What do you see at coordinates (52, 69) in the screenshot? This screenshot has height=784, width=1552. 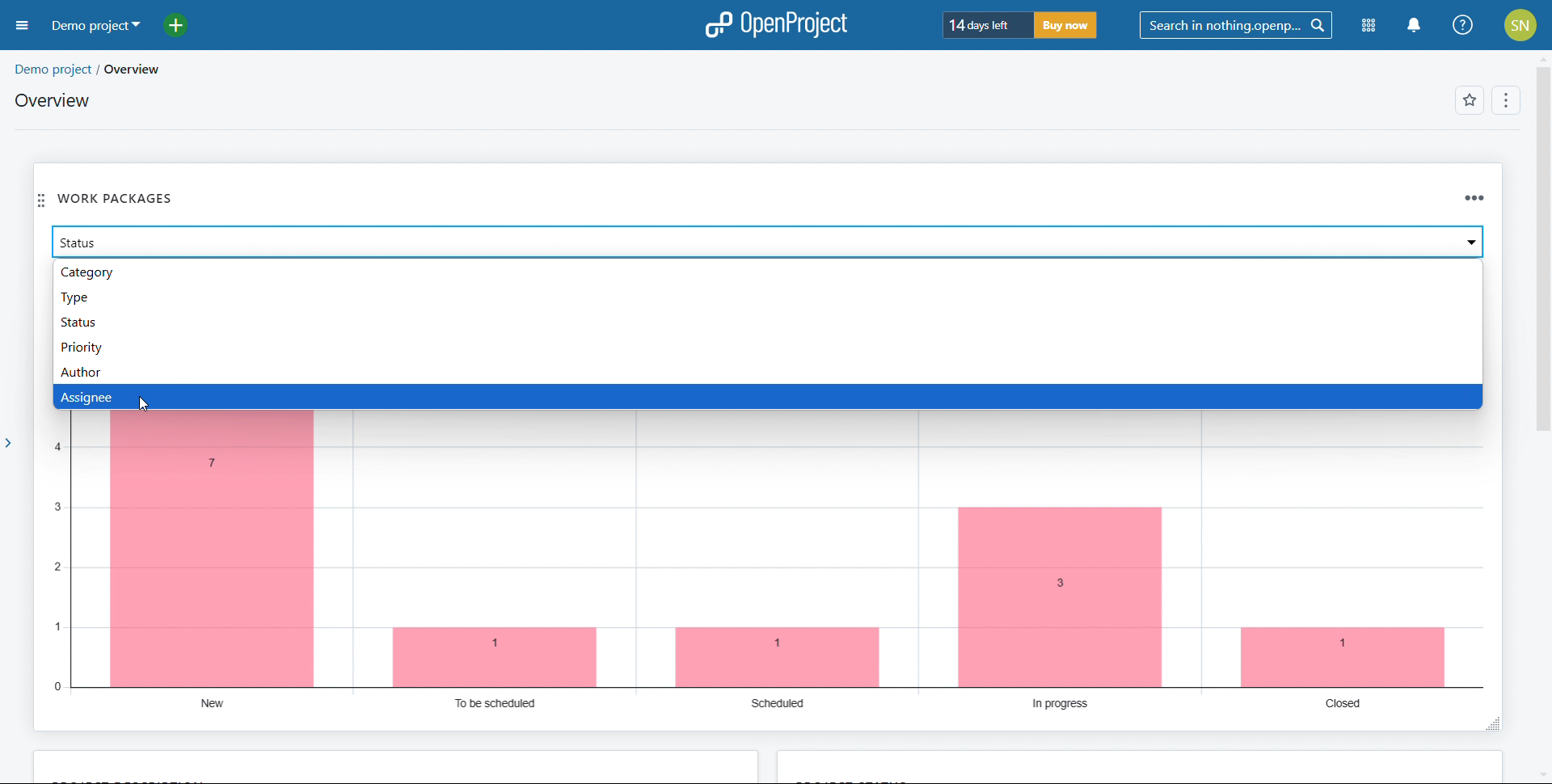 I see `demo project` at bounding box center [52, 69].